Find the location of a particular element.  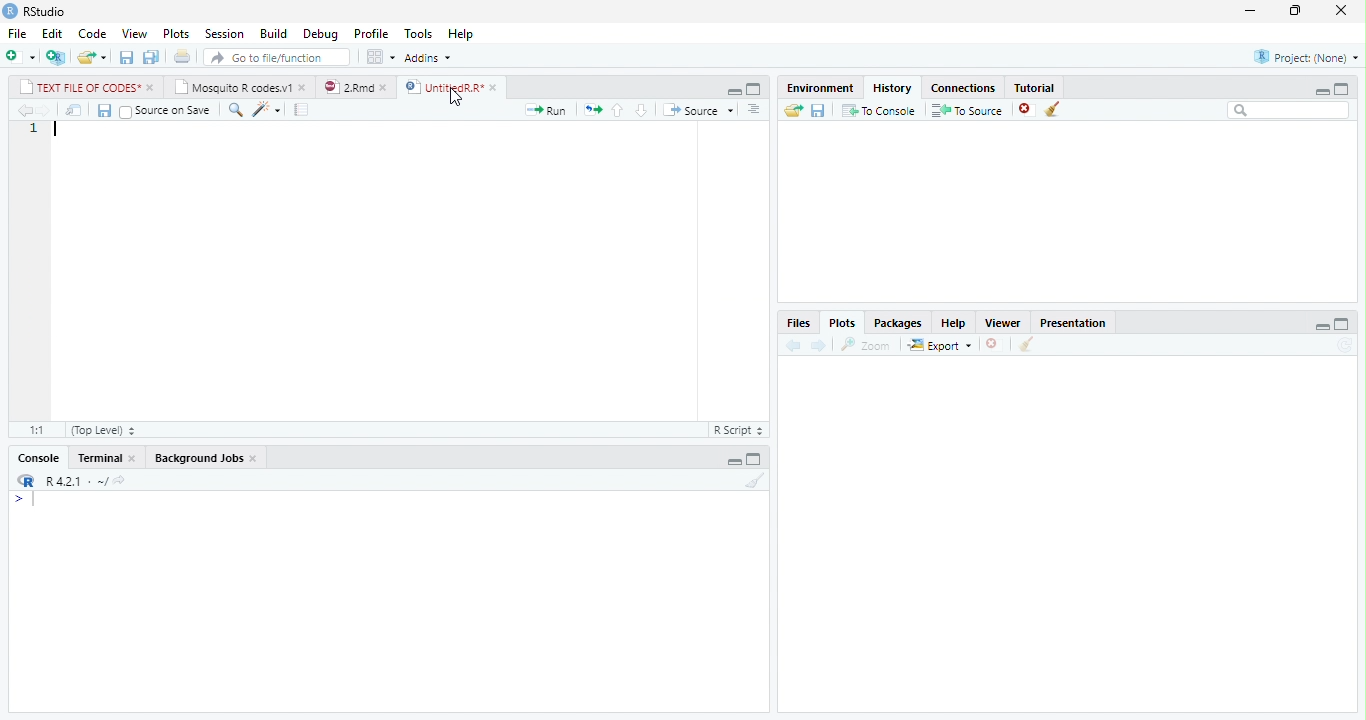

Files is located at coordinates (798, 323).